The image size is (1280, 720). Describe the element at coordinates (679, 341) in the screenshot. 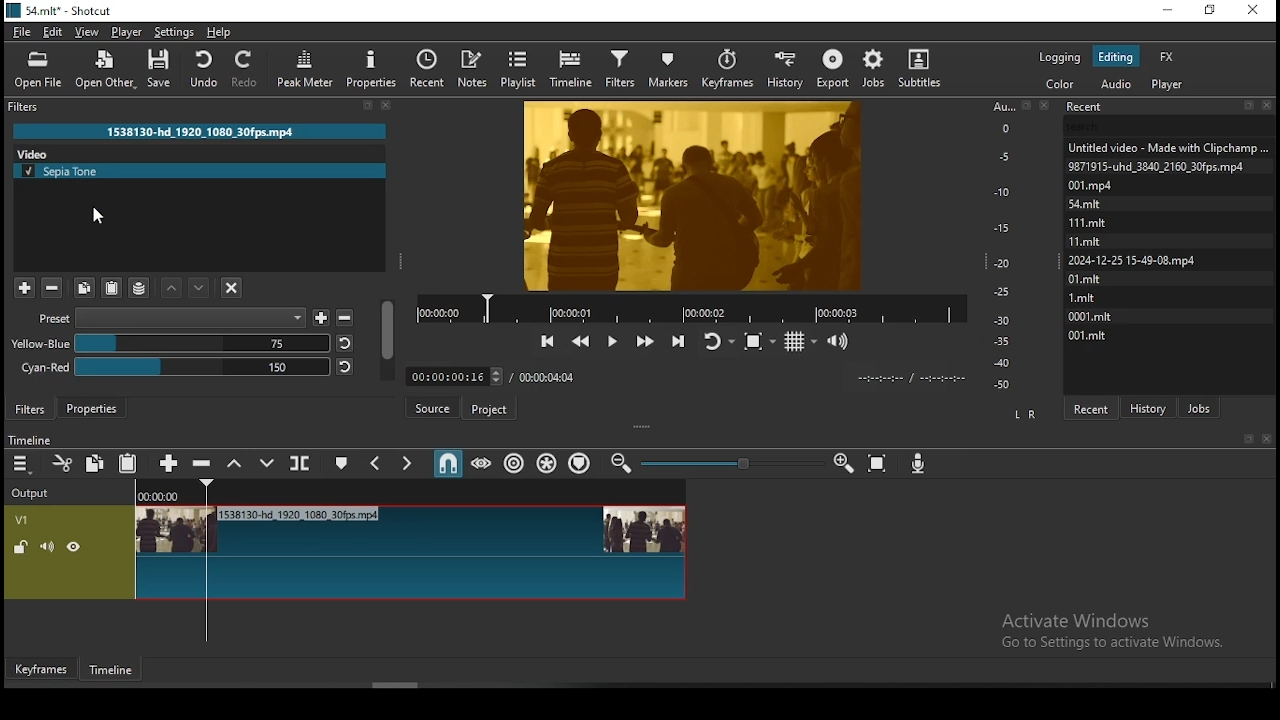

I see `skip to the next point` at that location.